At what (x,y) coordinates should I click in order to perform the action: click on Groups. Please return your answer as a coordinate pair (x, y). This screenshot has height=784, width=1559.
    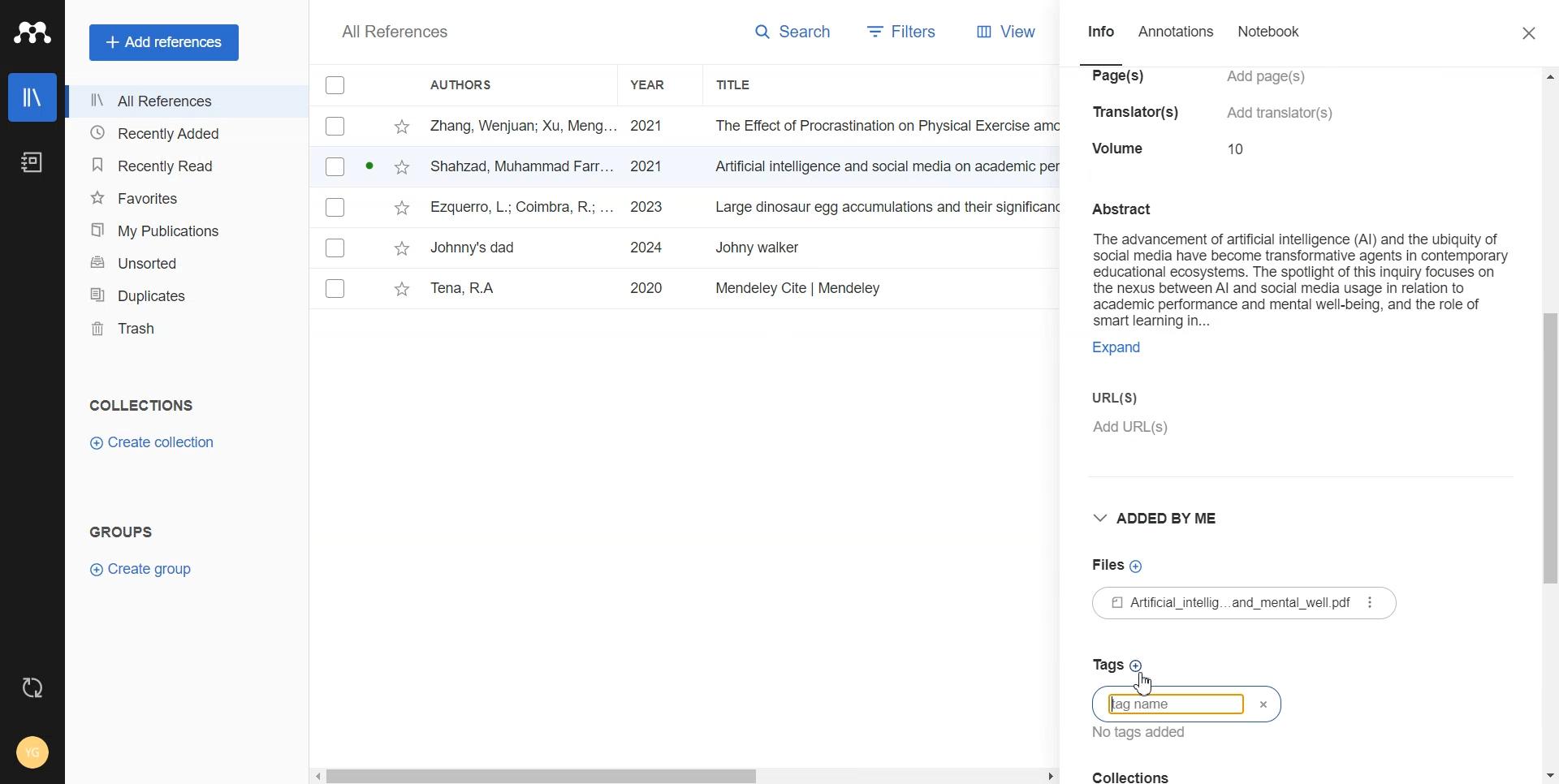
    Looking at the image, I should click on (122, 531).